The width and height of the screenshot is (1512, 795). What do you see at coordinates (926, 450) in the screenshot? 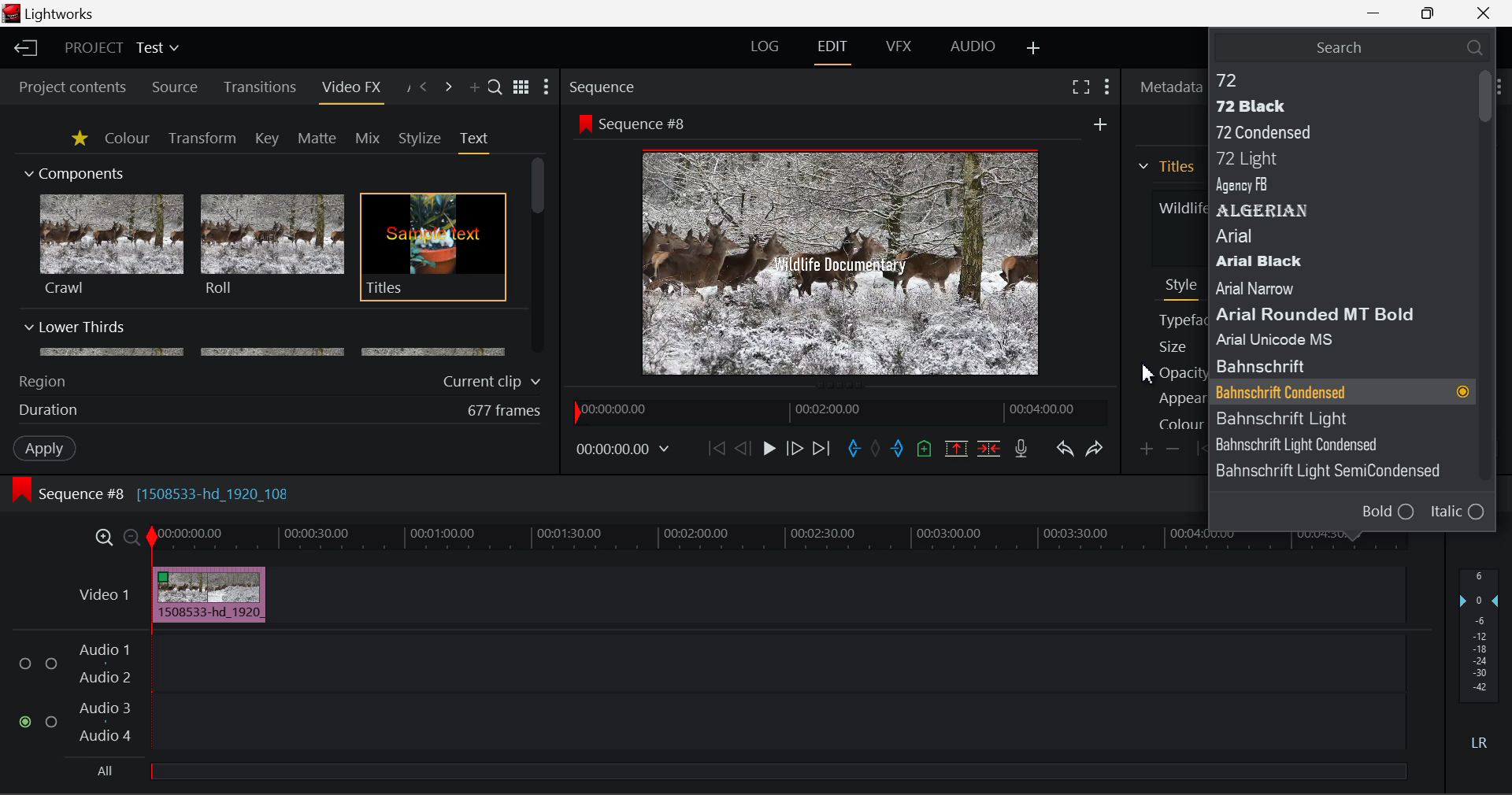
I see `Mark Cue` at bounding box center [926, 450].